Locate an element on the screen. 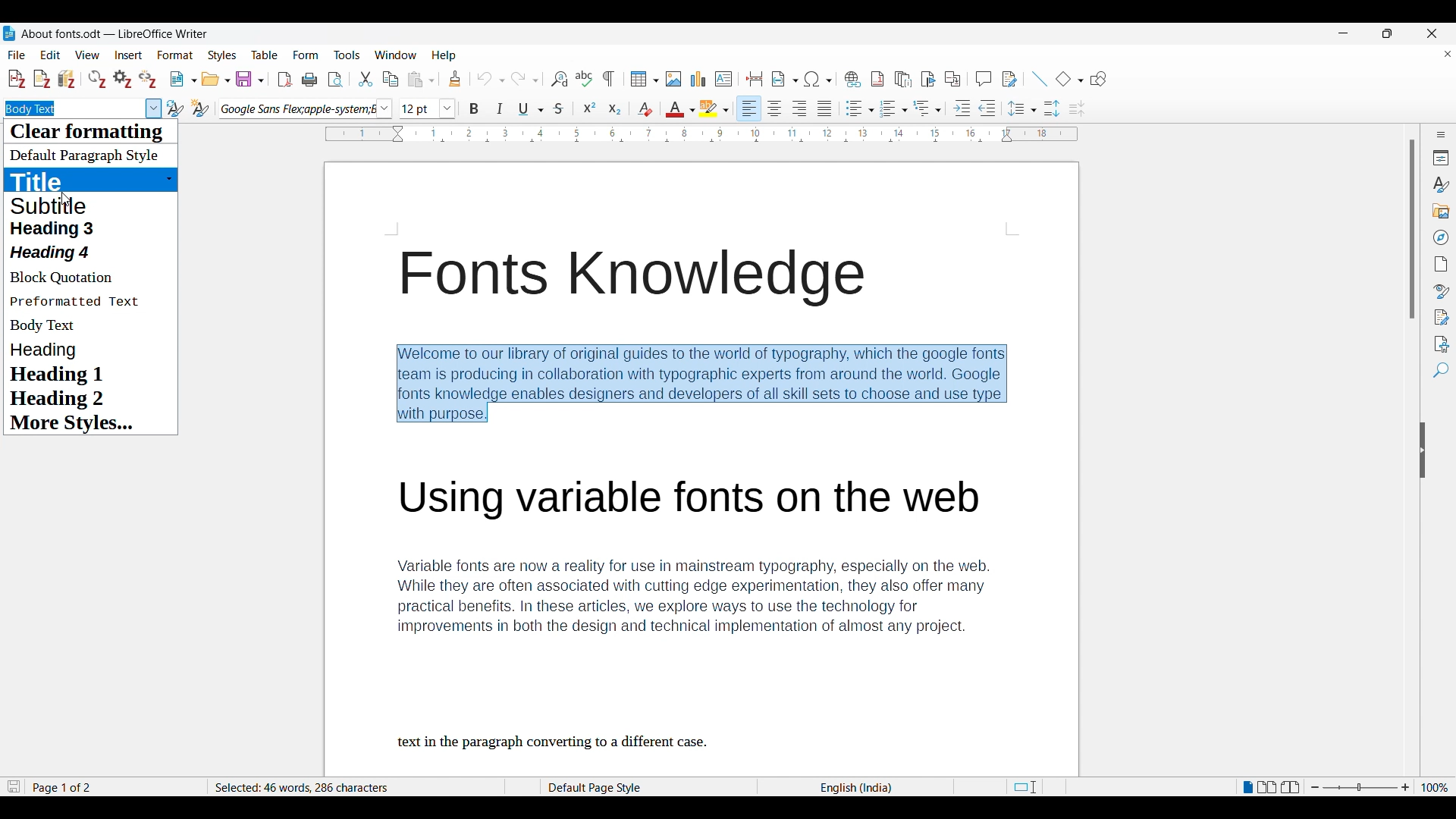  Set line spacing is located at coordinates (1022, 108).